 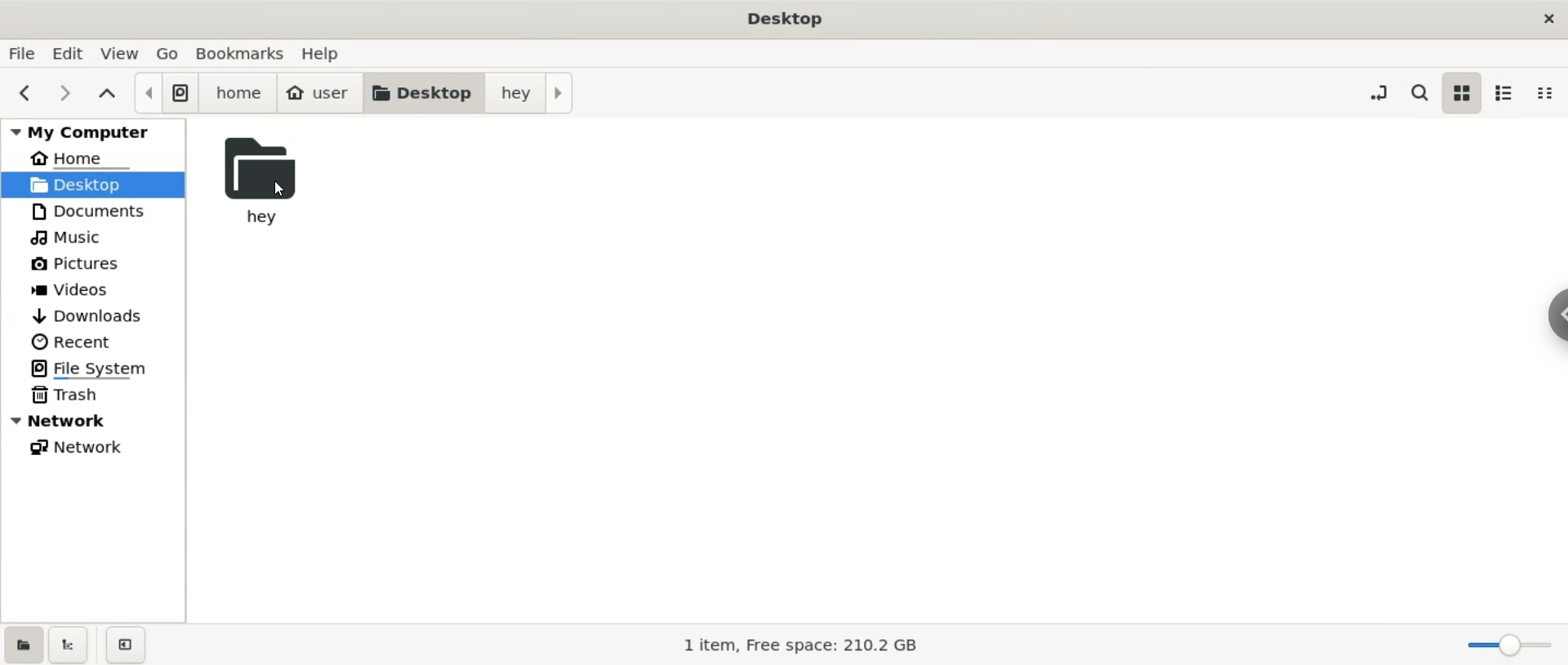 I want to click on hey, so click(x=528, y=95).